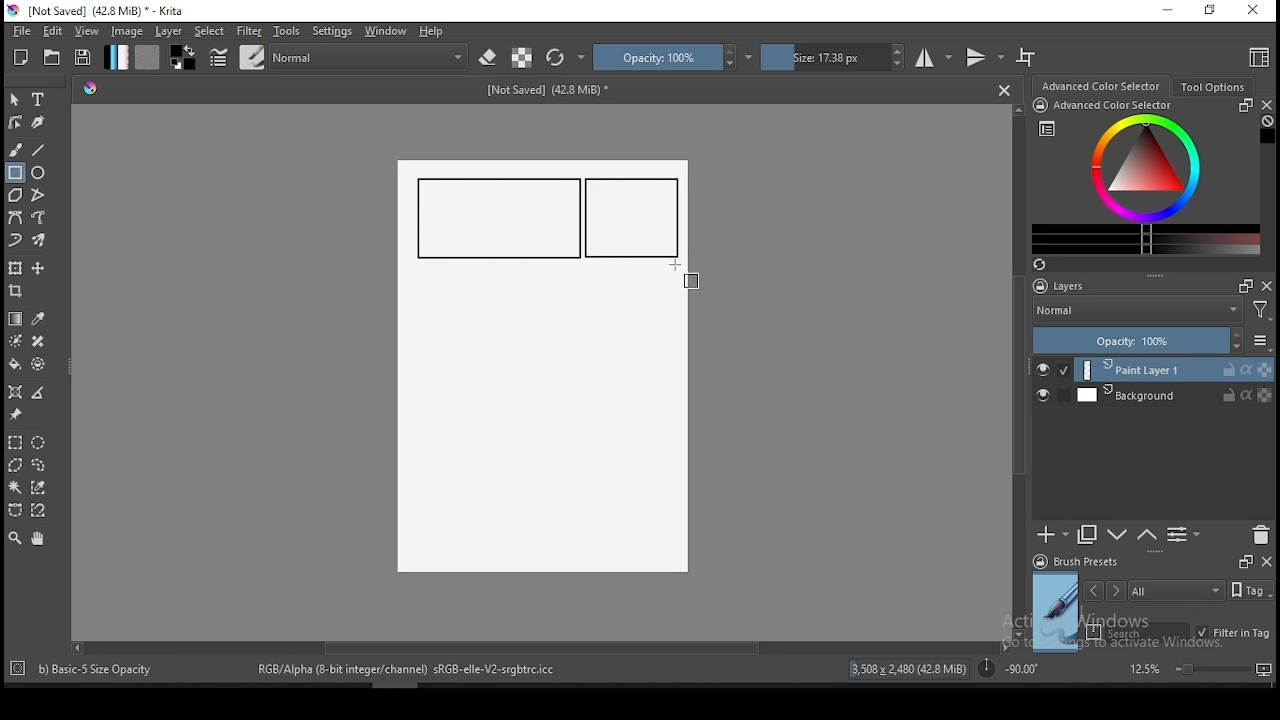  What do you see at coordinates (1176, 590) in the screenshot?
I see `tags` at bounding box center [1176, 590].